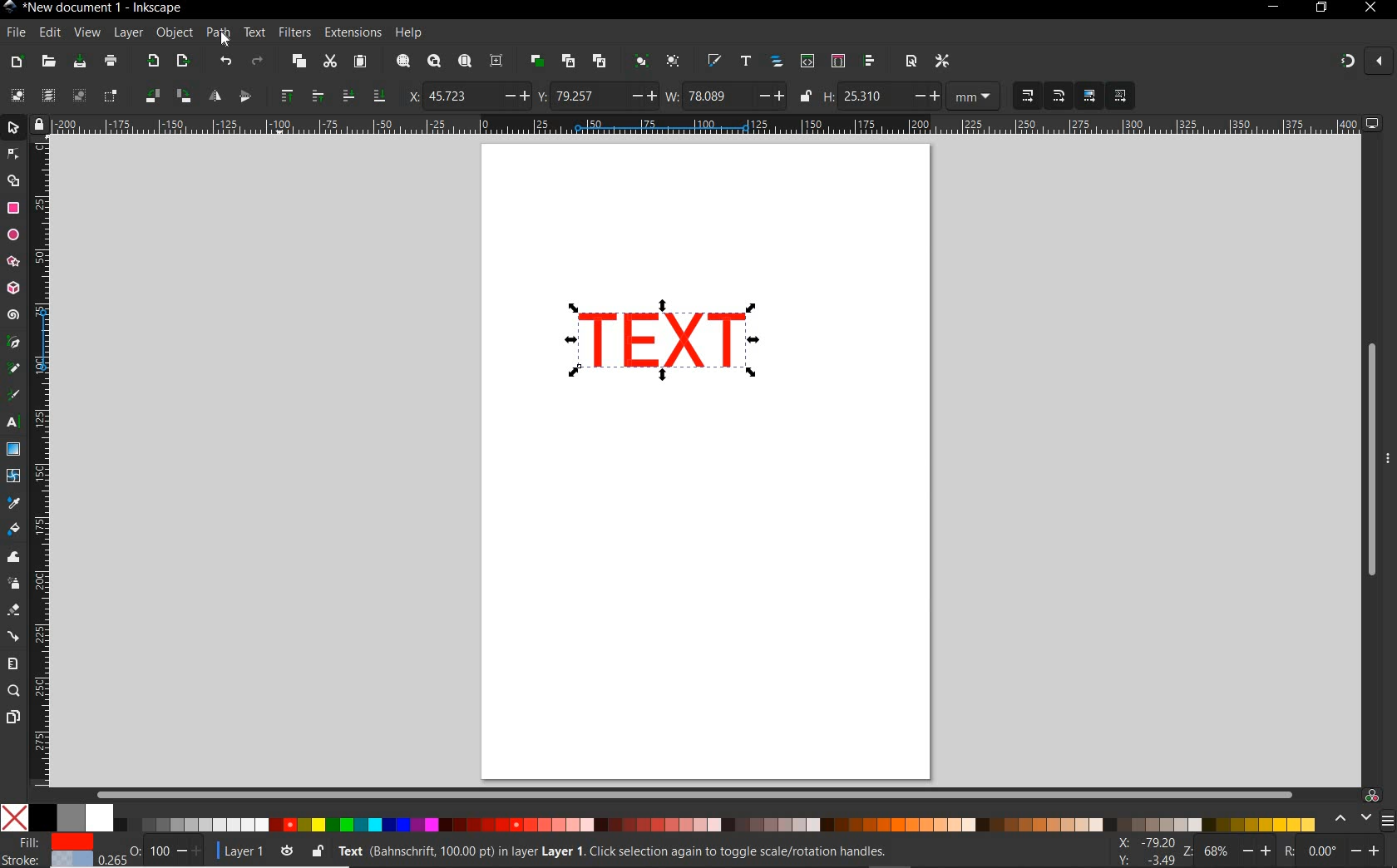  I want to click on GRADIENT TOOL, so click(13, 449).